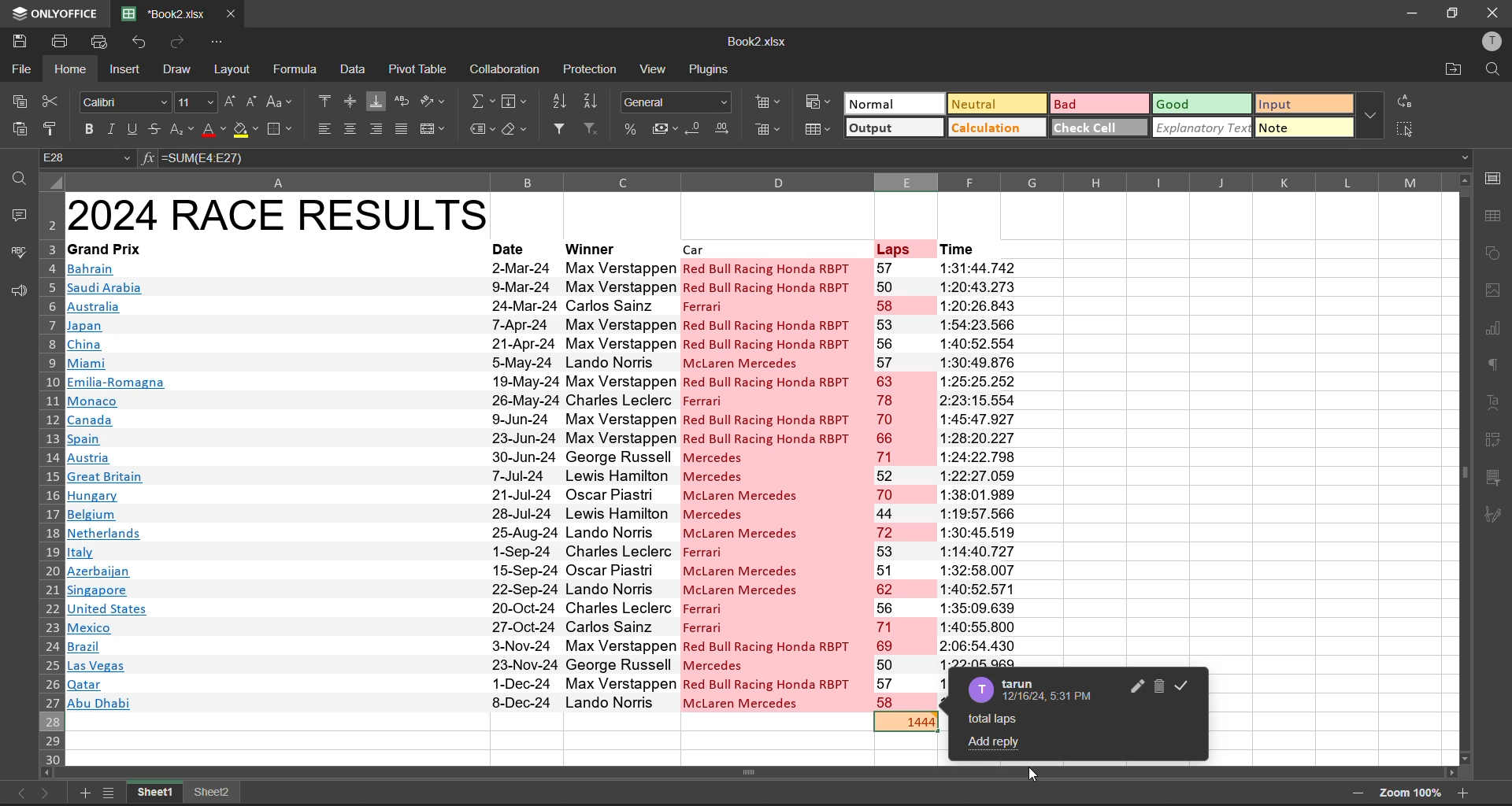 This screenshot has width=1512, height=806. I want to click on call settings, so click(1492, 179).